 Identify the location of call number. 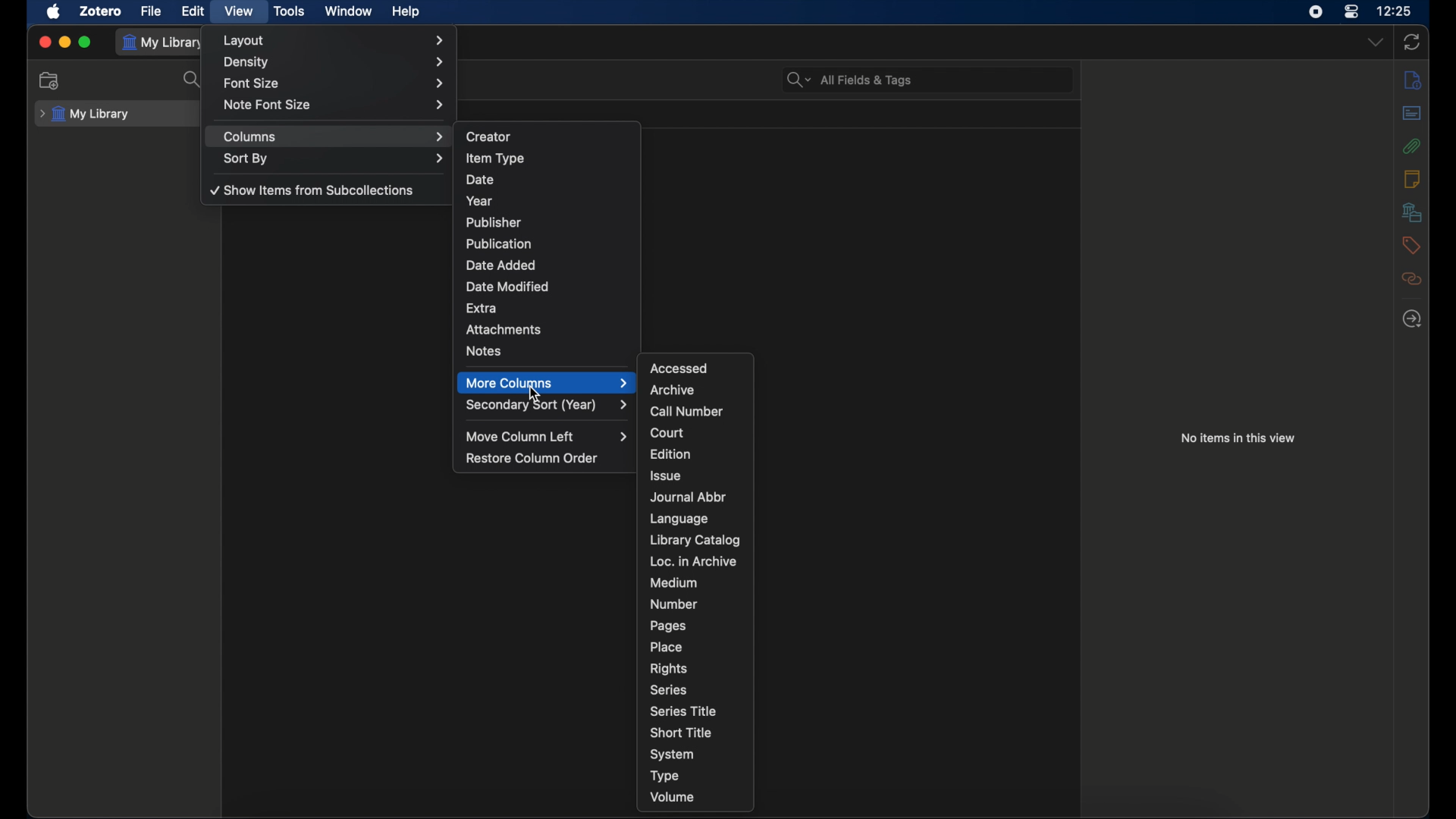
(689, 412).